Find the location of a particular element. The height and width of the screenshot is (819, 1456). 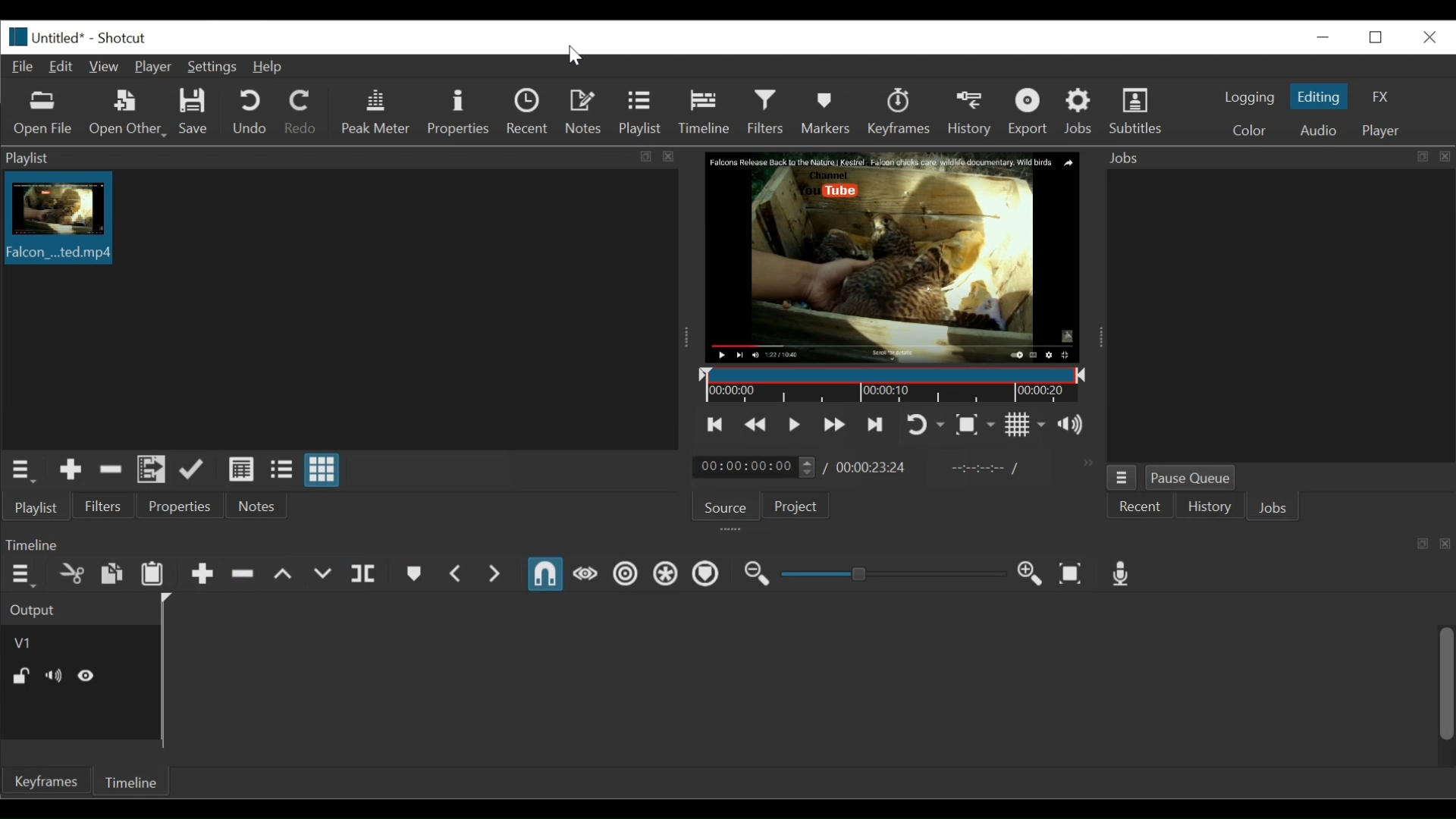

Cut is located at coordinates (71, 573).